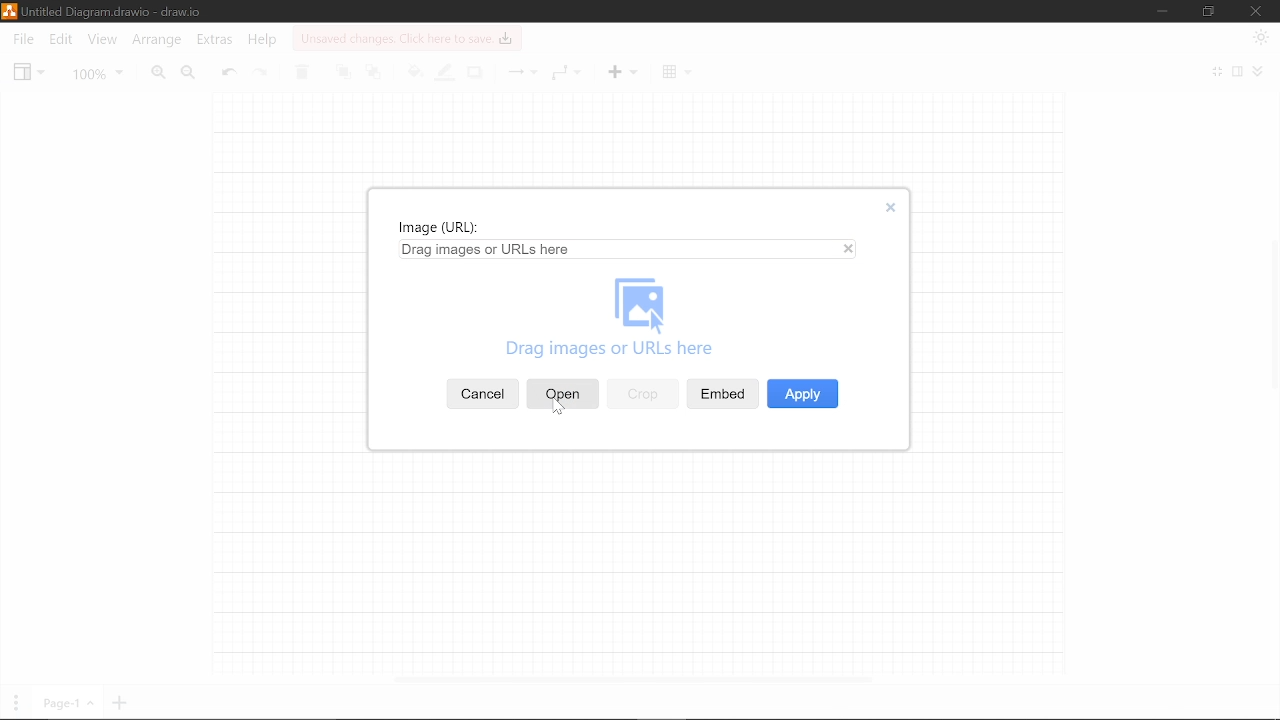  I want to click on To back, so click(376, 71).